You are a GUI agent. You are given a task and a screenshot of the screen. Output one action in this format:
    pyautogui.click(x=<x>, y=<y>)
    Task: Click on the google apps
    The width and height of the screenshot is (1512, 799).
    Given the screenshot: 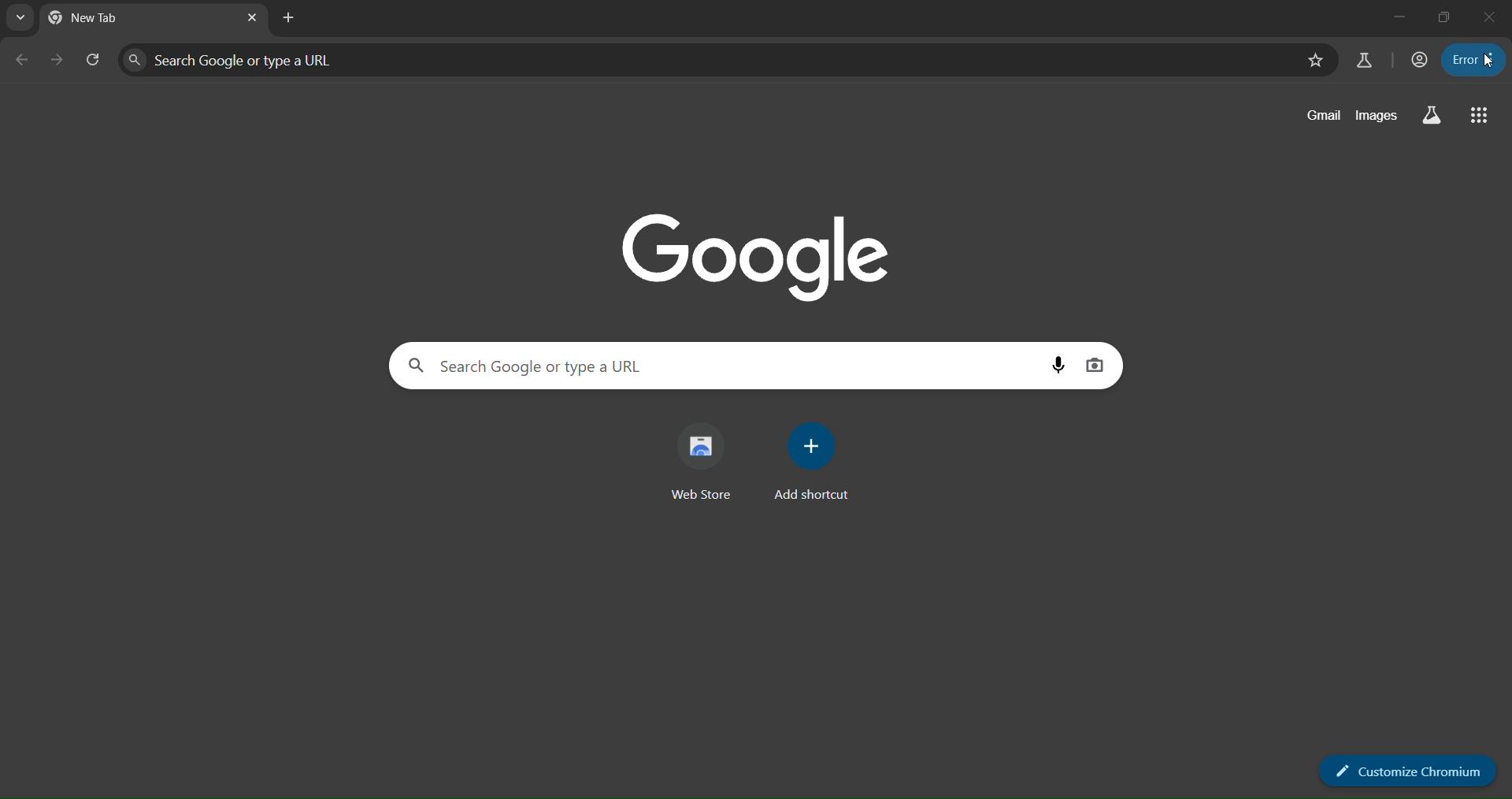 What is the action you would take?
    pyautogui.click(x=1480, y=115)
    